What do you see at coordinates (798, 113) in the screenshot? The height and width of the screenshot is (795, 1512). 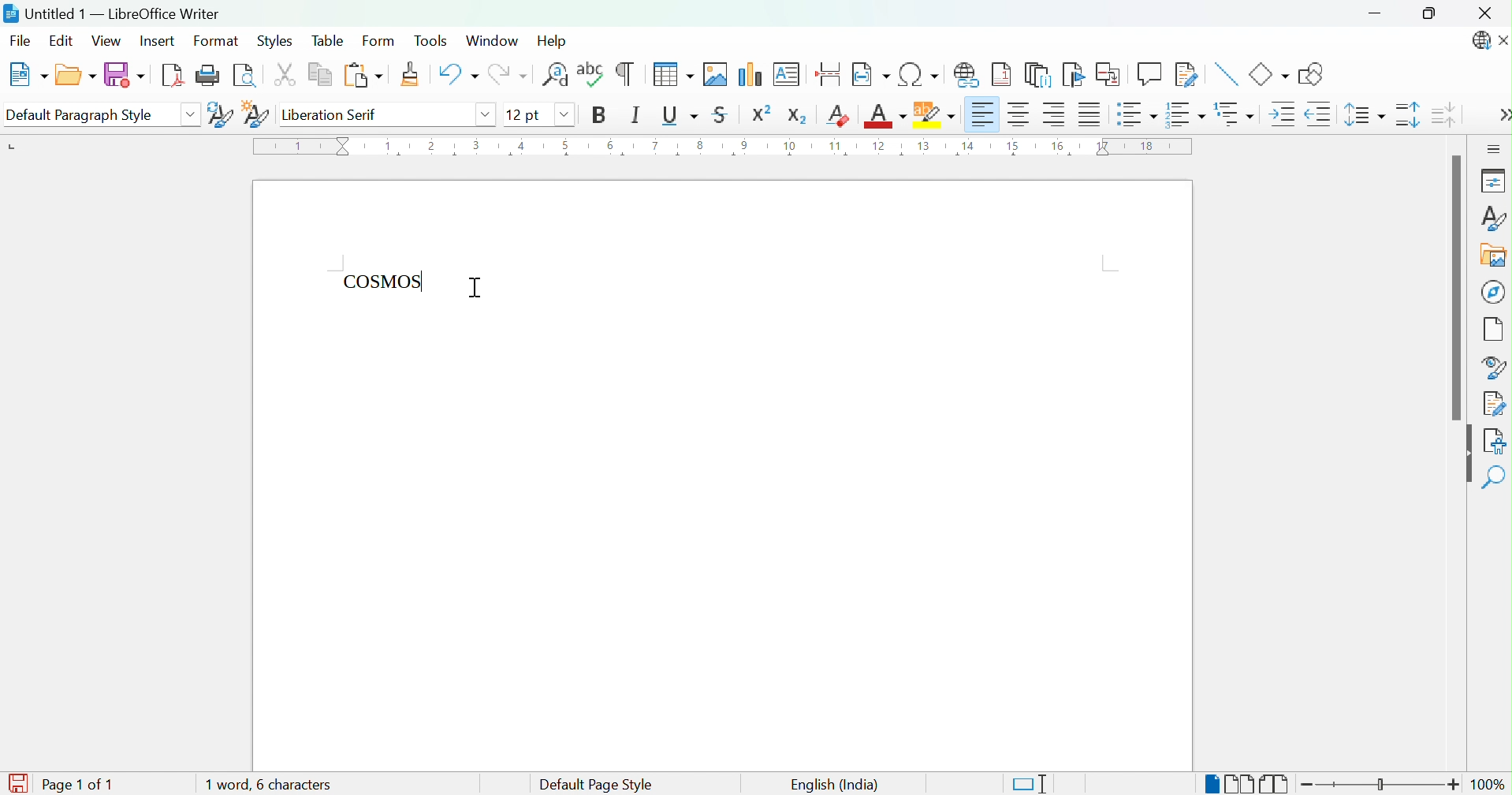 I see `Subscript` at bounding box center [798, 113].